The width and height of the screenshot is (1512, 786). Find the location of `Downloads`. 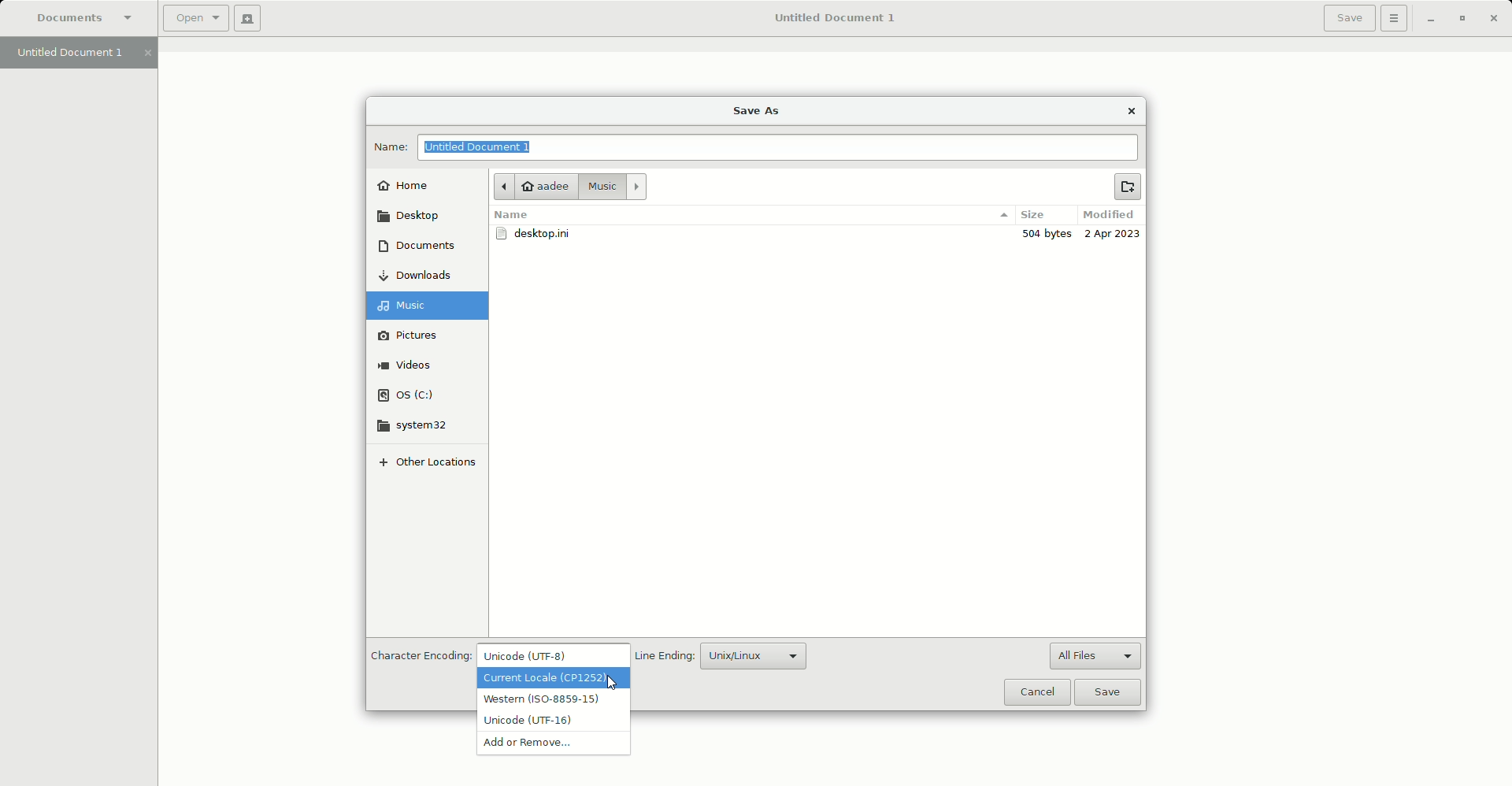

Downloads is located at coordinates (422, 276).